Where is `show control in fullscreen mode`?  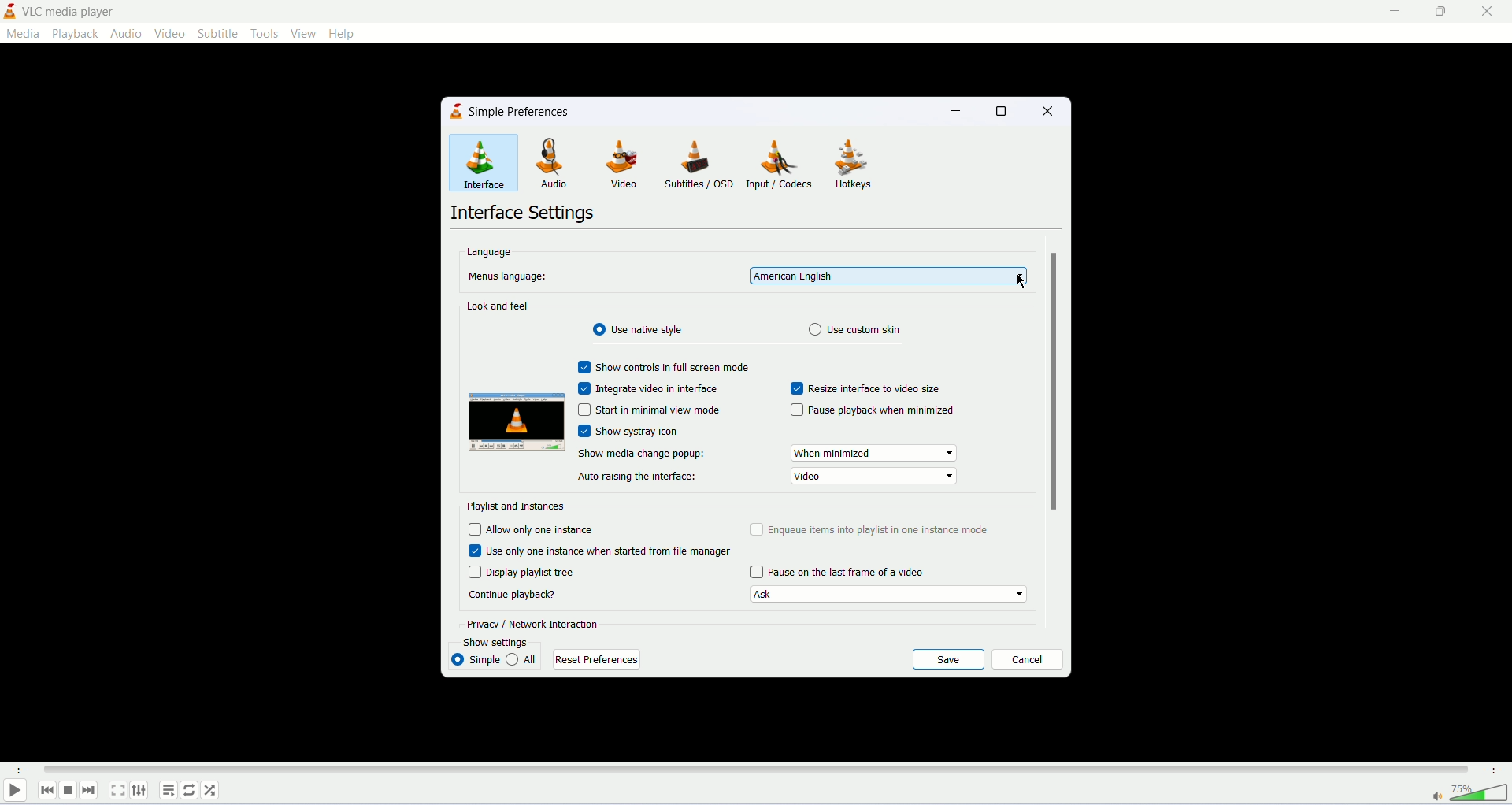 show control in fullscreen mode is located at coordinates (663, 367).